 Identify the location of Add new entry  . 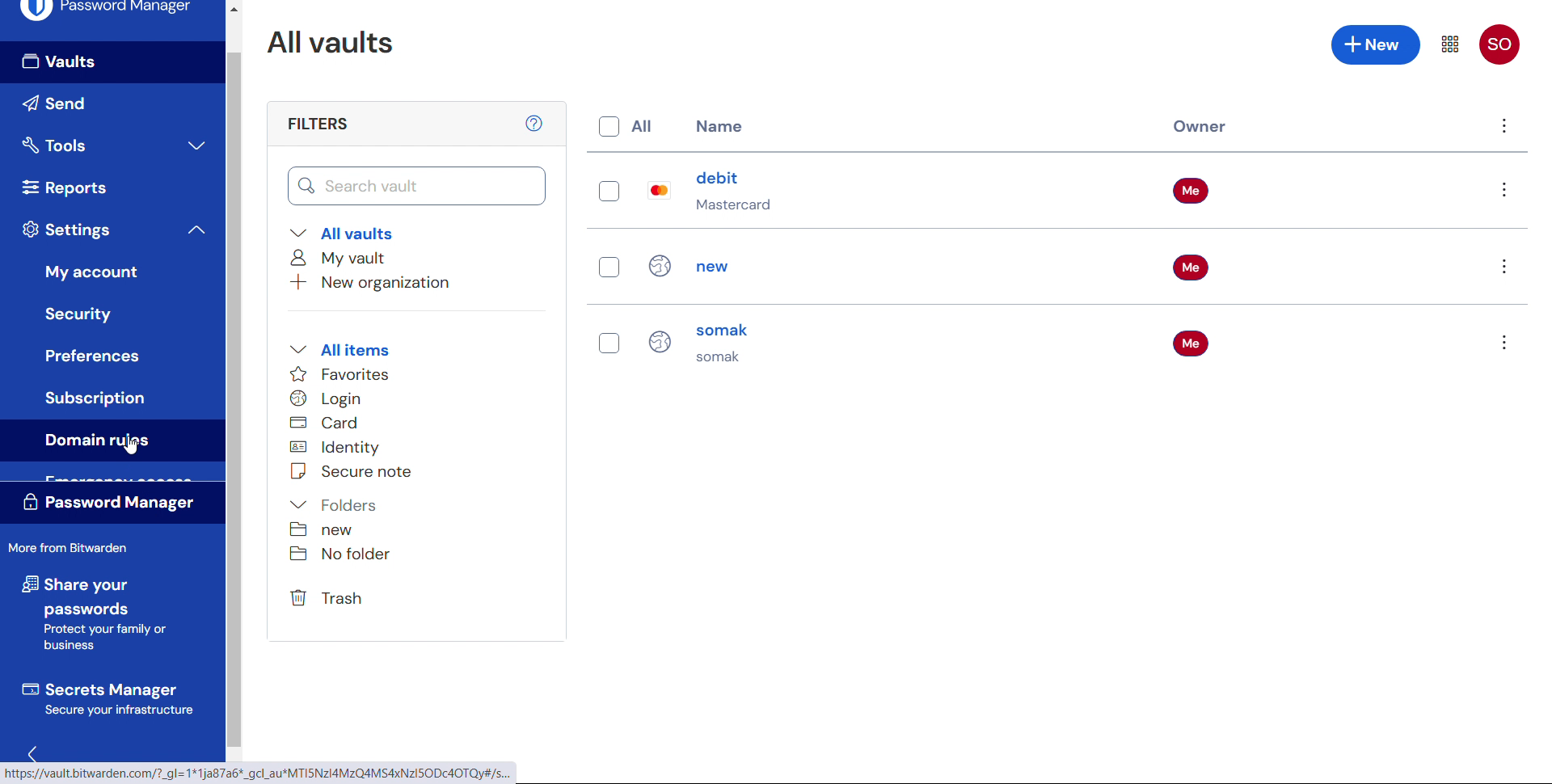
(1375, 45).